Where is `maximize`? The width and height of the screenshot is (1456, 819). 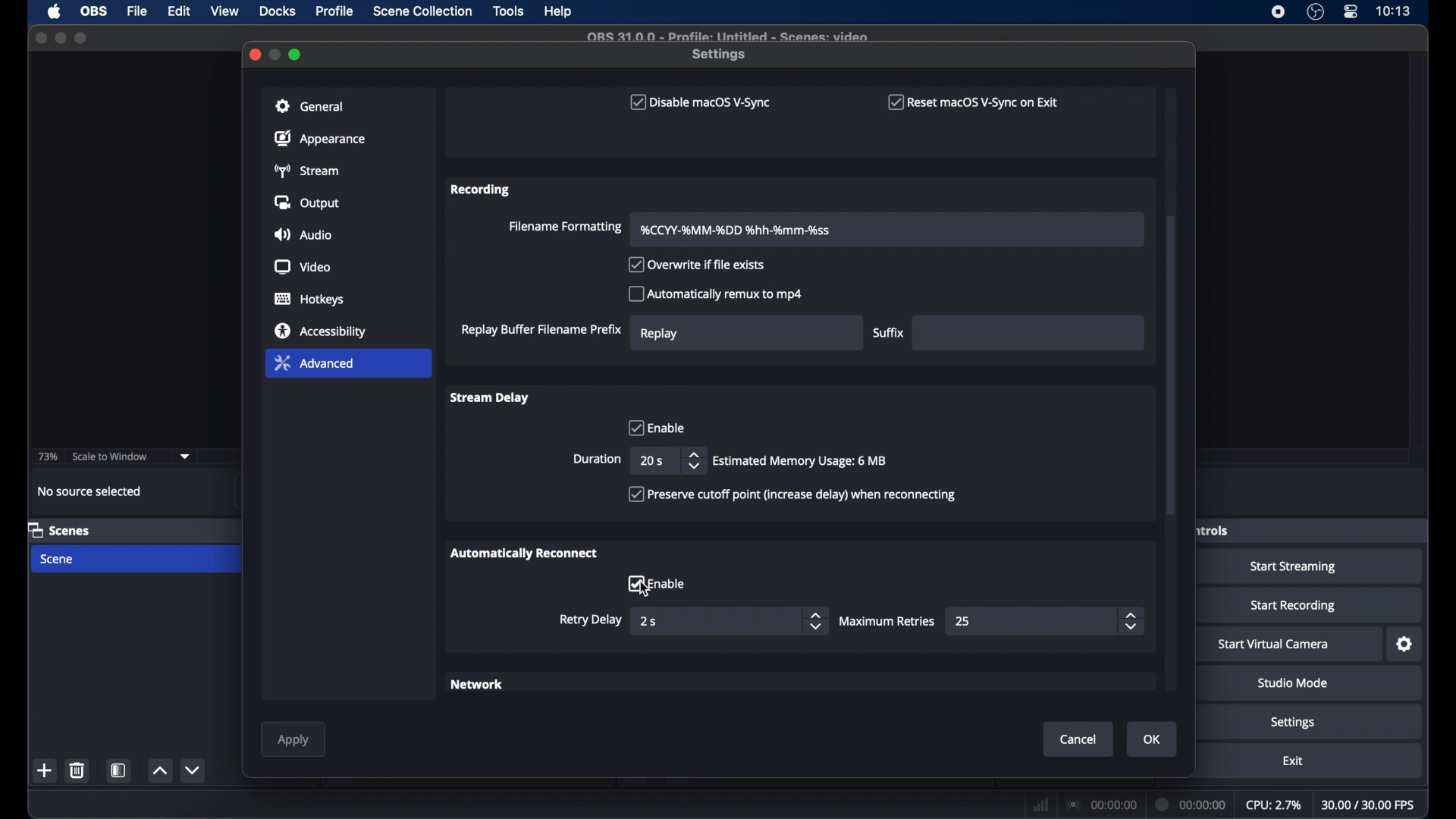 maximize is located at coordinates (83, 38).